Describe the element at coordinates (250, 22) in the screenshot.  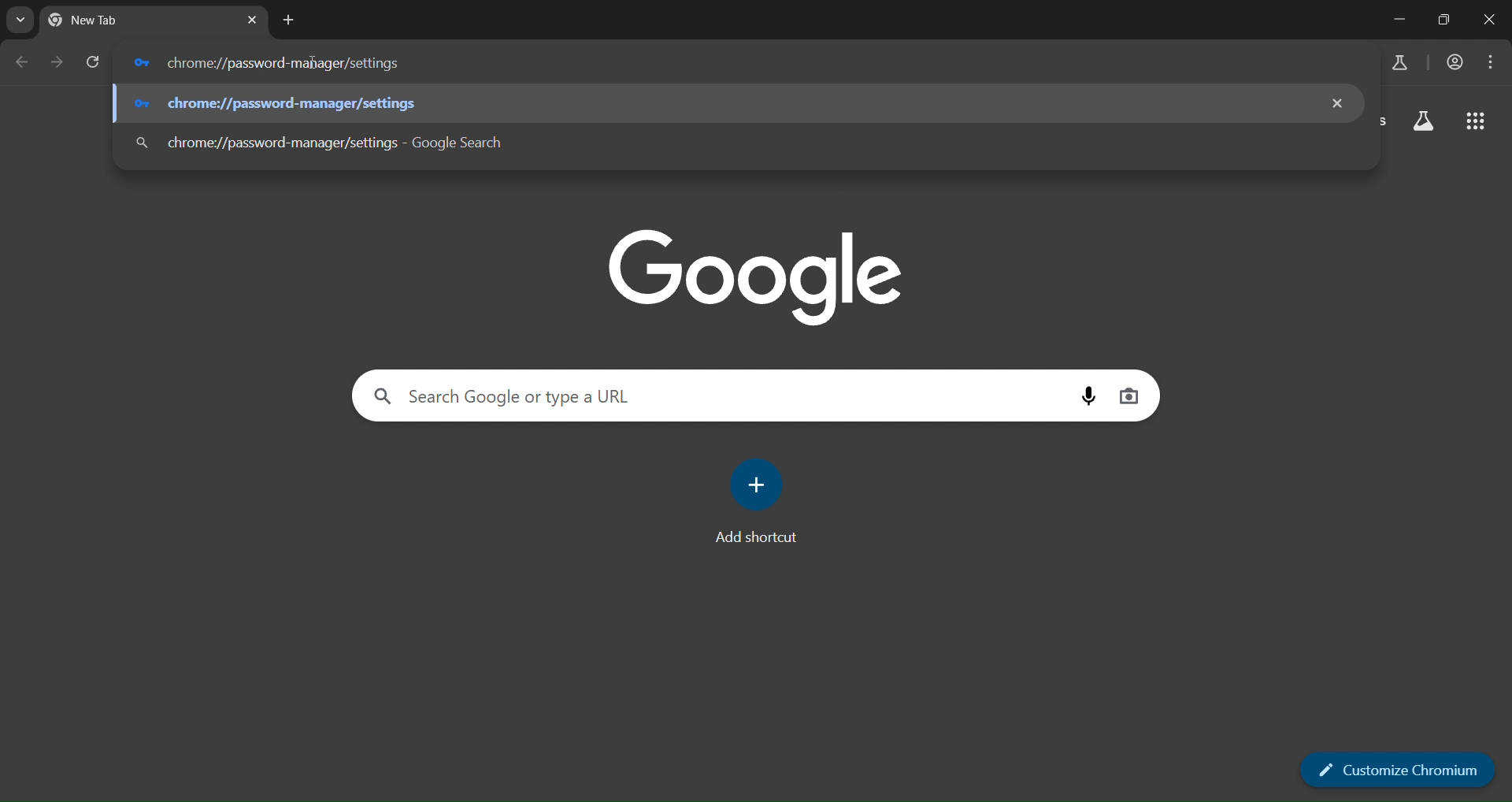
I see `new tab` at that location.